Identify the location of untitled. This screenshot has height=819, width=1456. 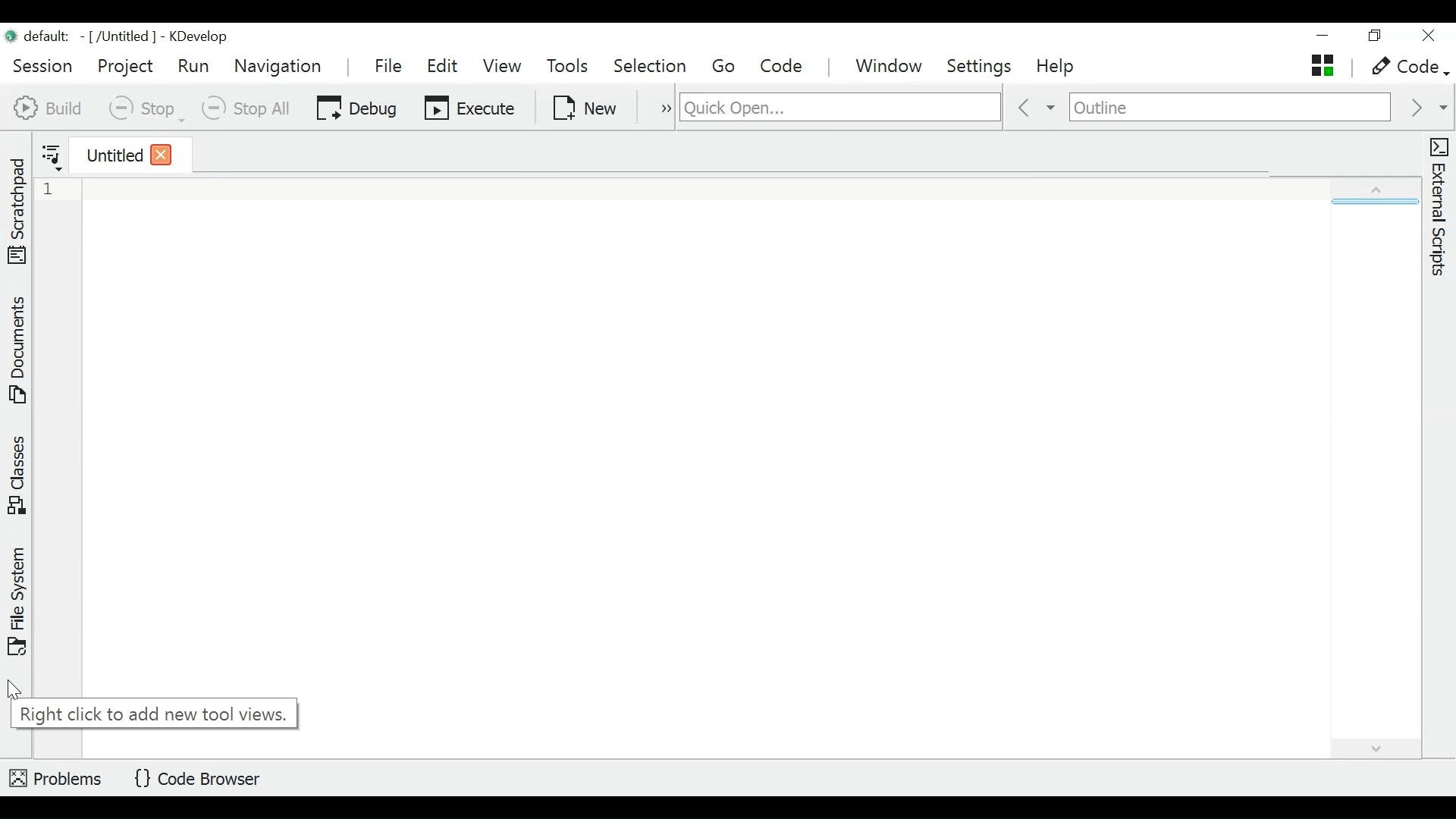
(1323, 65).